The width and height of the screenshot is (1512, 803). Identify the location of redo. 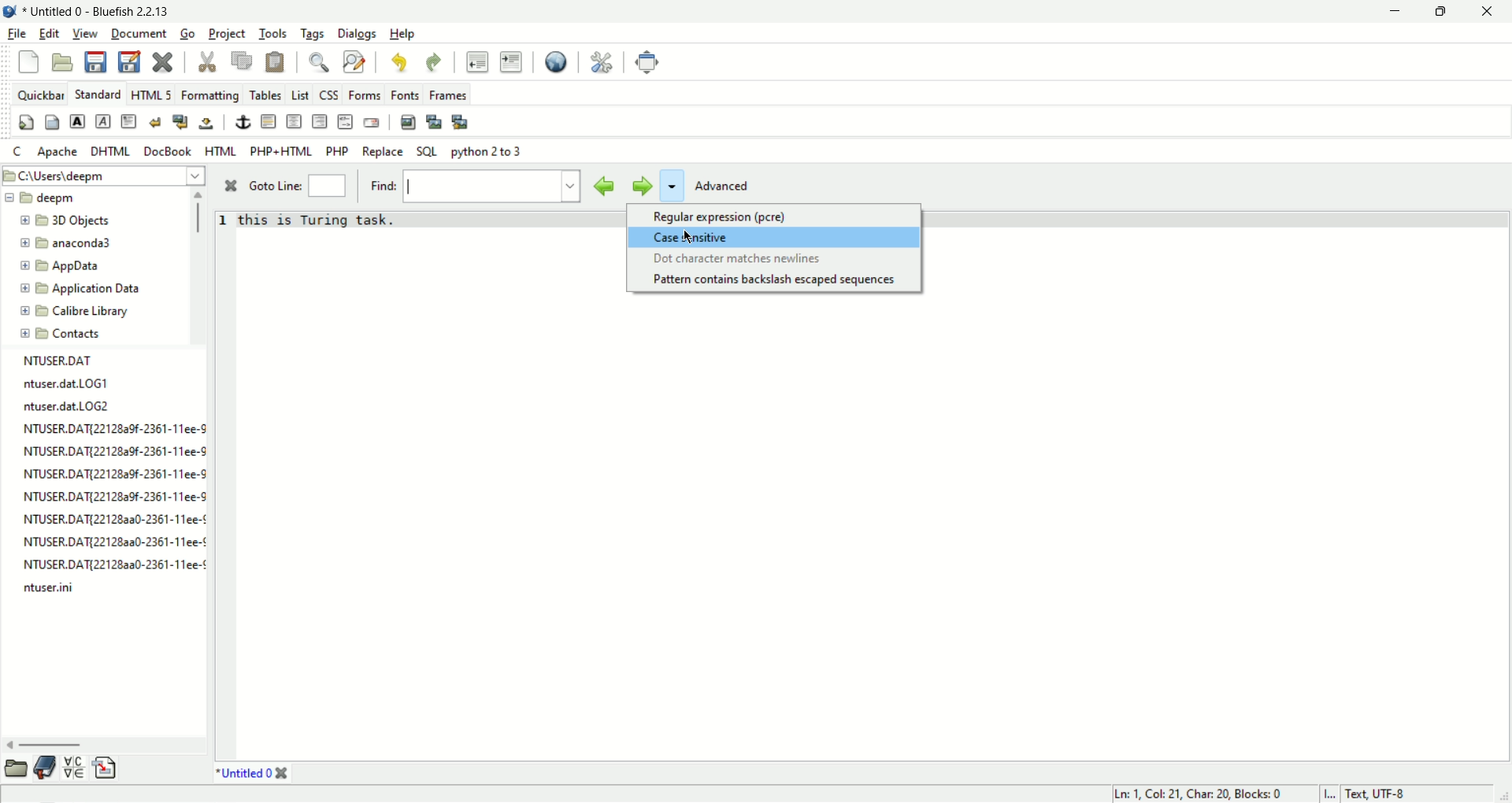
(431, 61).